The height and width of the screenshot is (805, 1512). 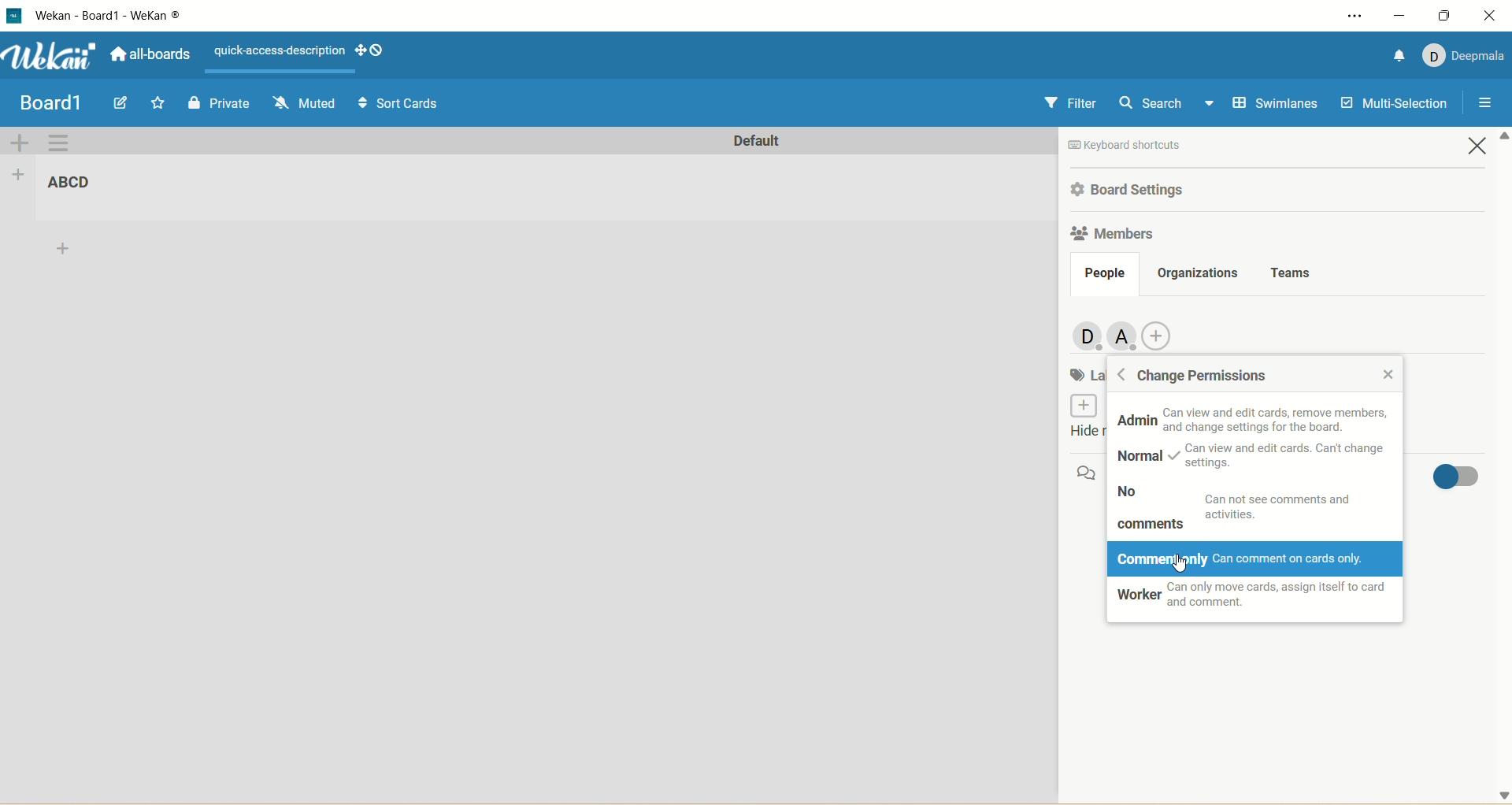 I want to click on filter, so click(x=1069, y=104).